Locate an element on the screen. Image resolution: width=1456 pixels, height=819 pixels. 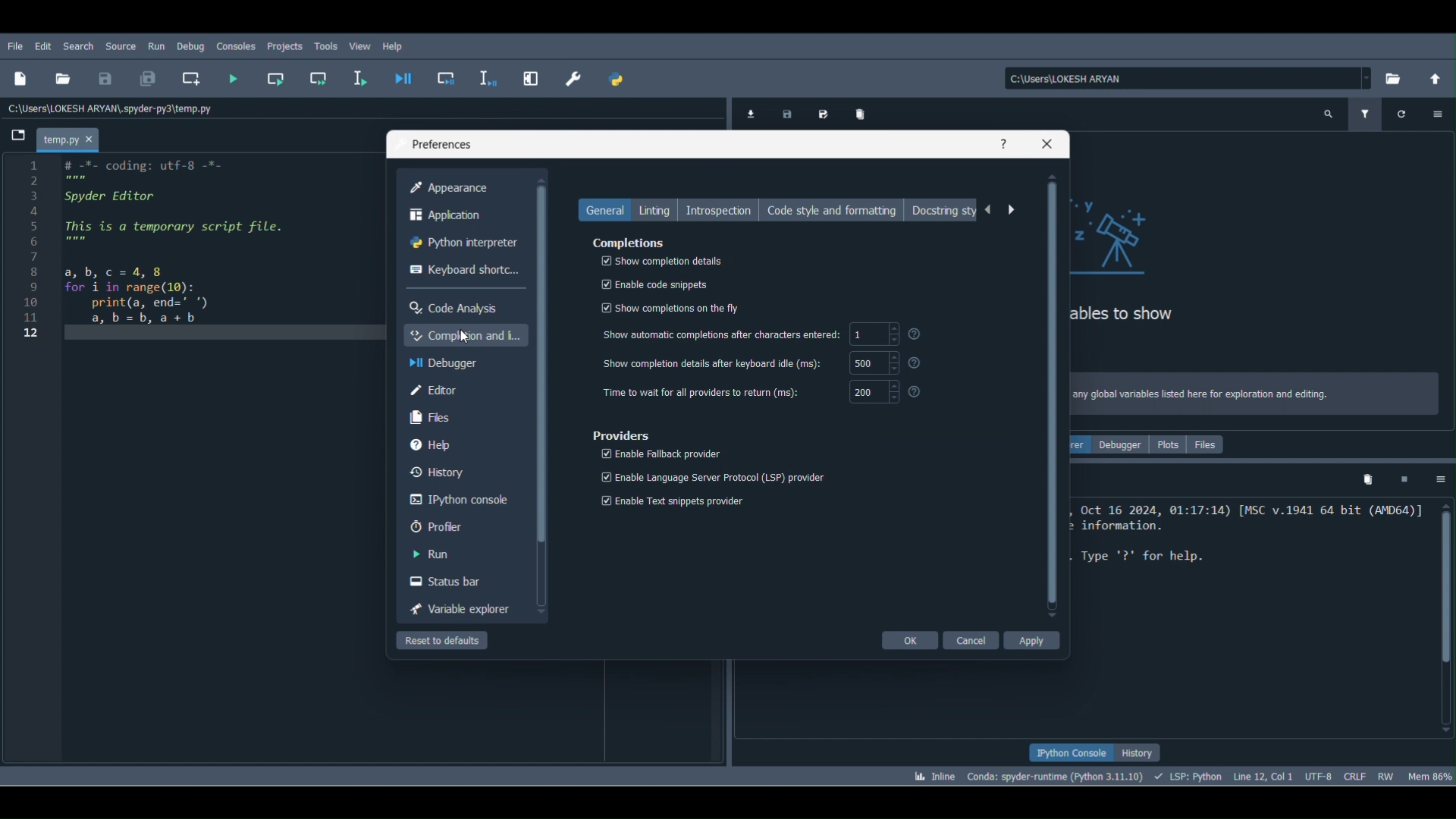
Plots is located at coordinates (1169, 444).